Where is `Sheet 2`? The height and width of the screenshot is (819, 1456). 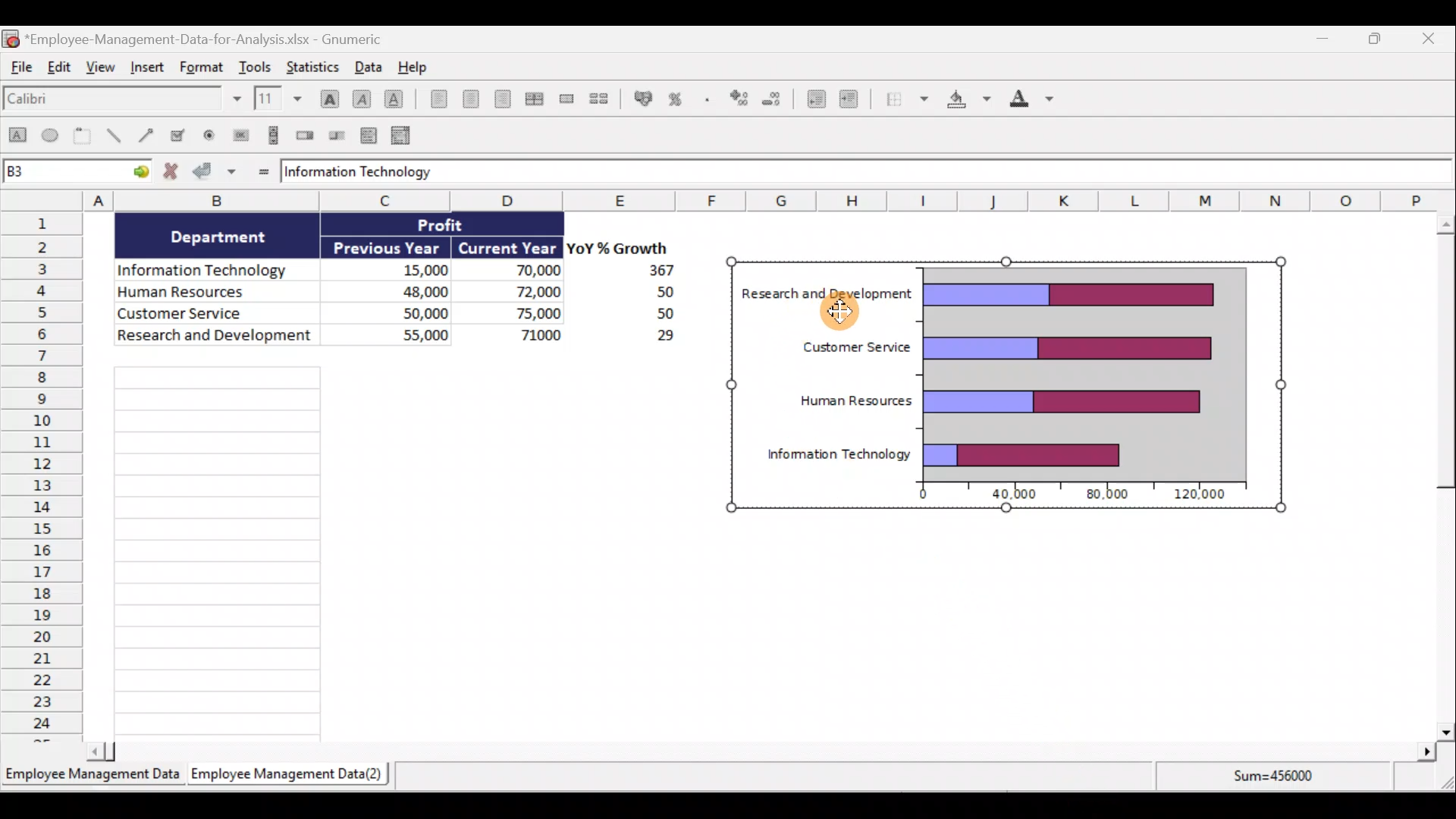 Sheet 2 is located at coordinates (290, 774).